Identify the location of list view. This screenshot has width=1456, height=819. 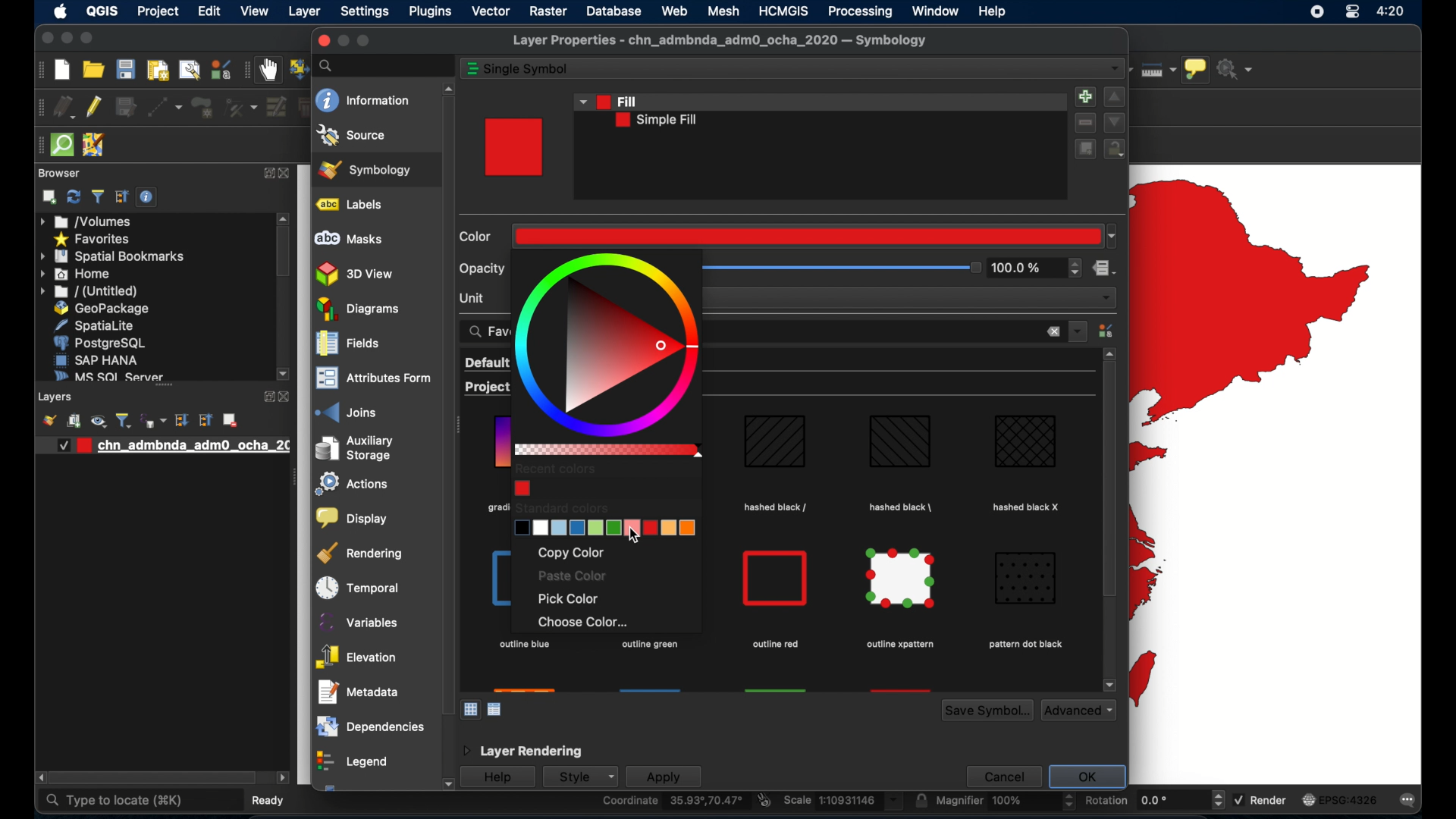
(496, 710).